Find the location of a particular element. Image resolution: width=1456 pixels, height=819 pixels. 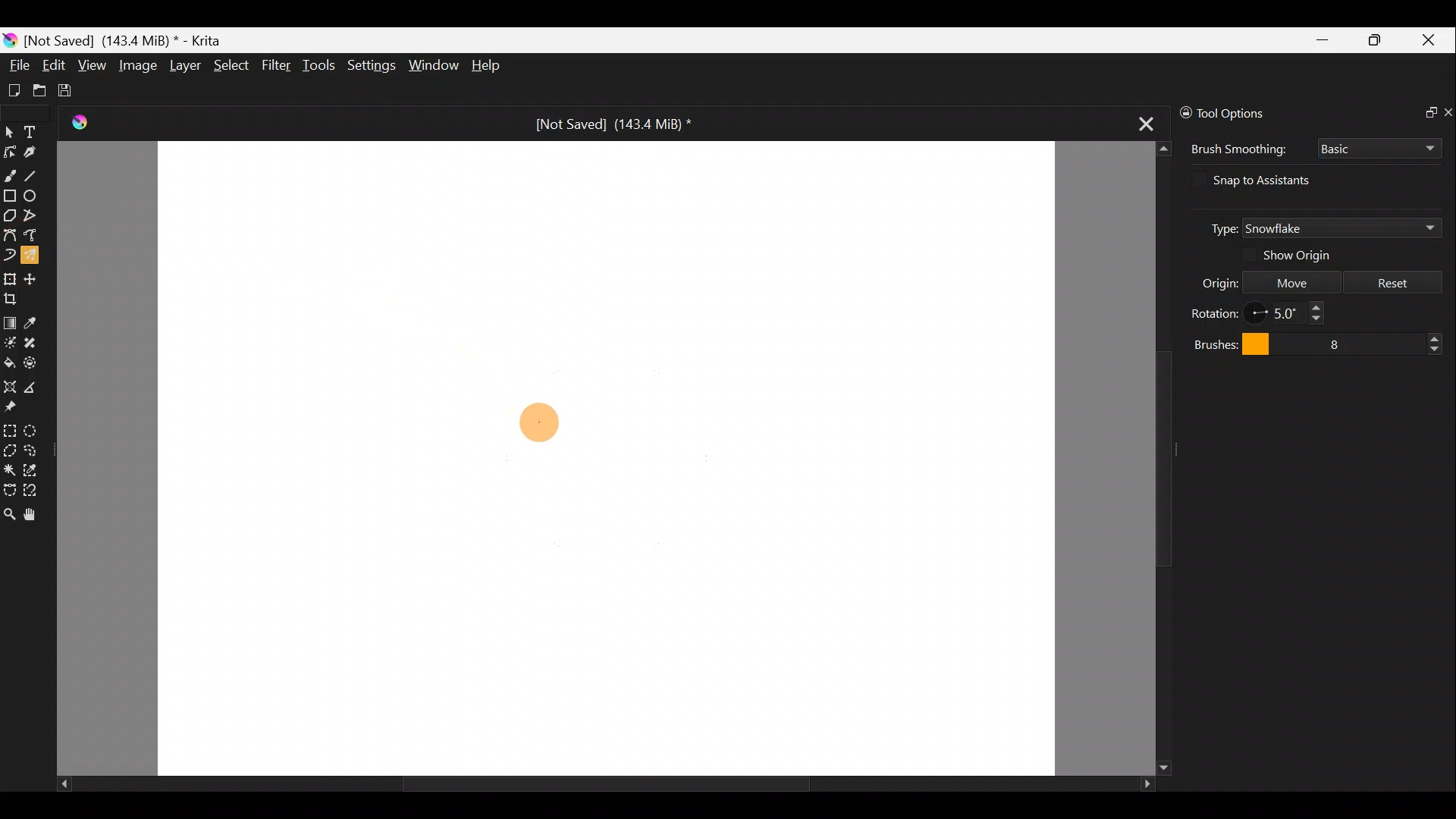

Dynamic brush tool is located at coordinates (9, 255).